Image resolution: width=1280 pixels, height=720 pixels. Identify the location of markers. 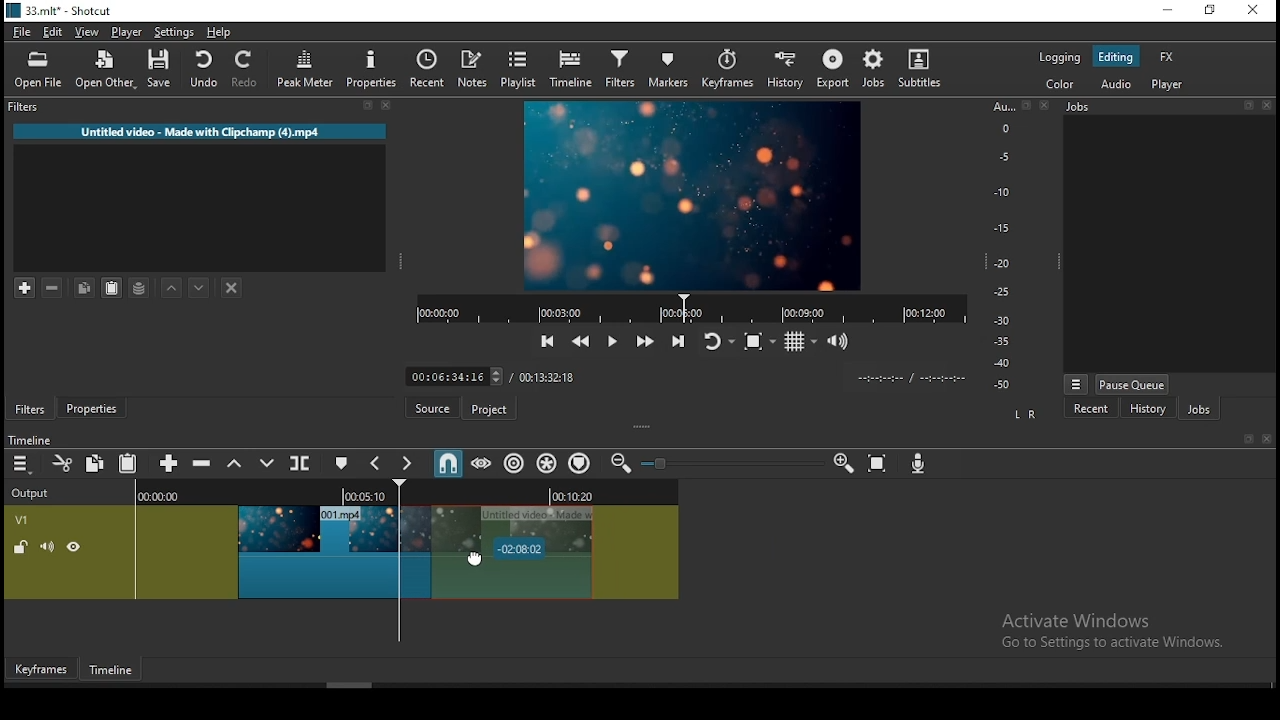
(670, 72).